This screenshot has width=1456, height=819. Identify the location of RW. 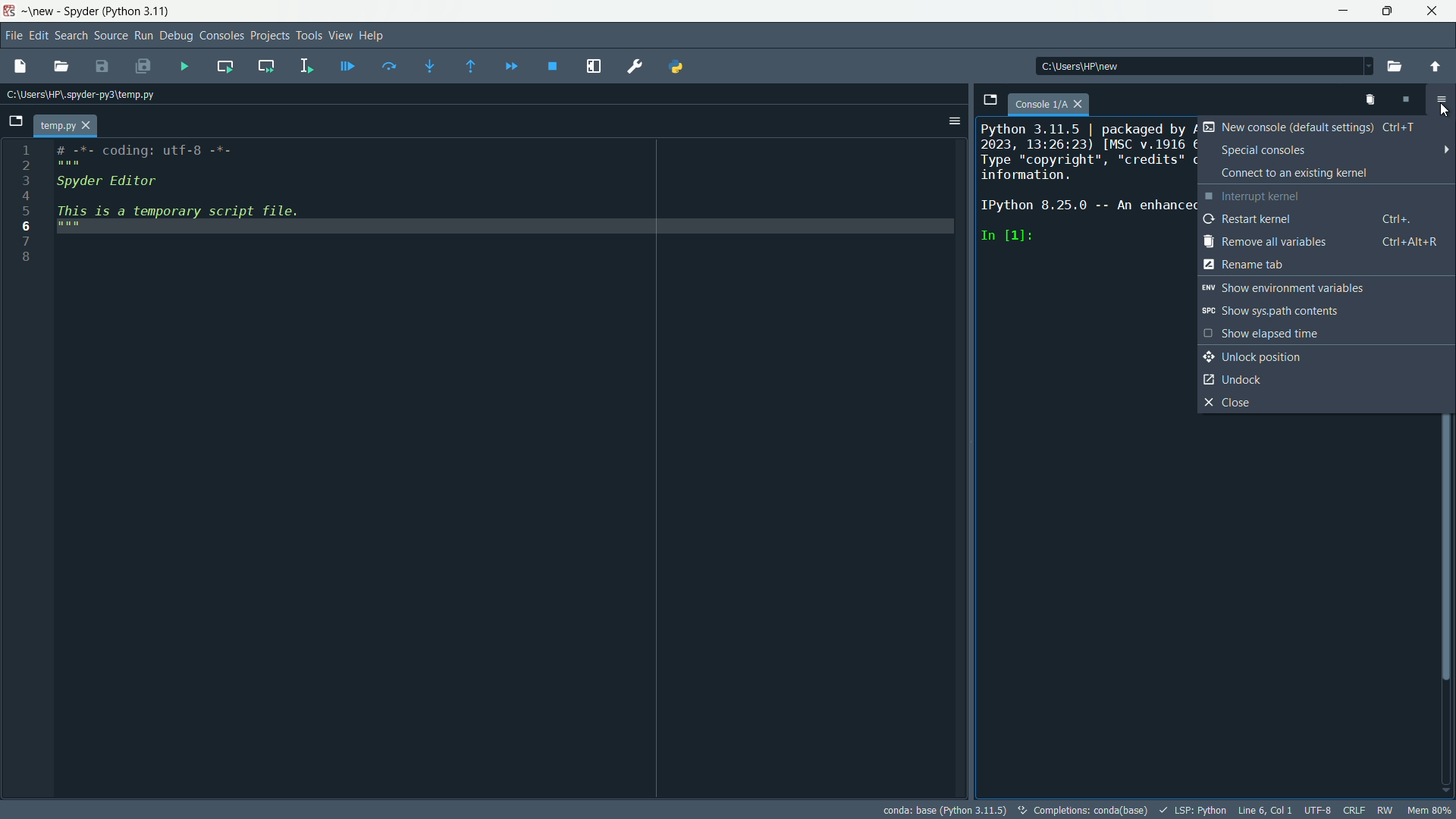
(1384, 810).